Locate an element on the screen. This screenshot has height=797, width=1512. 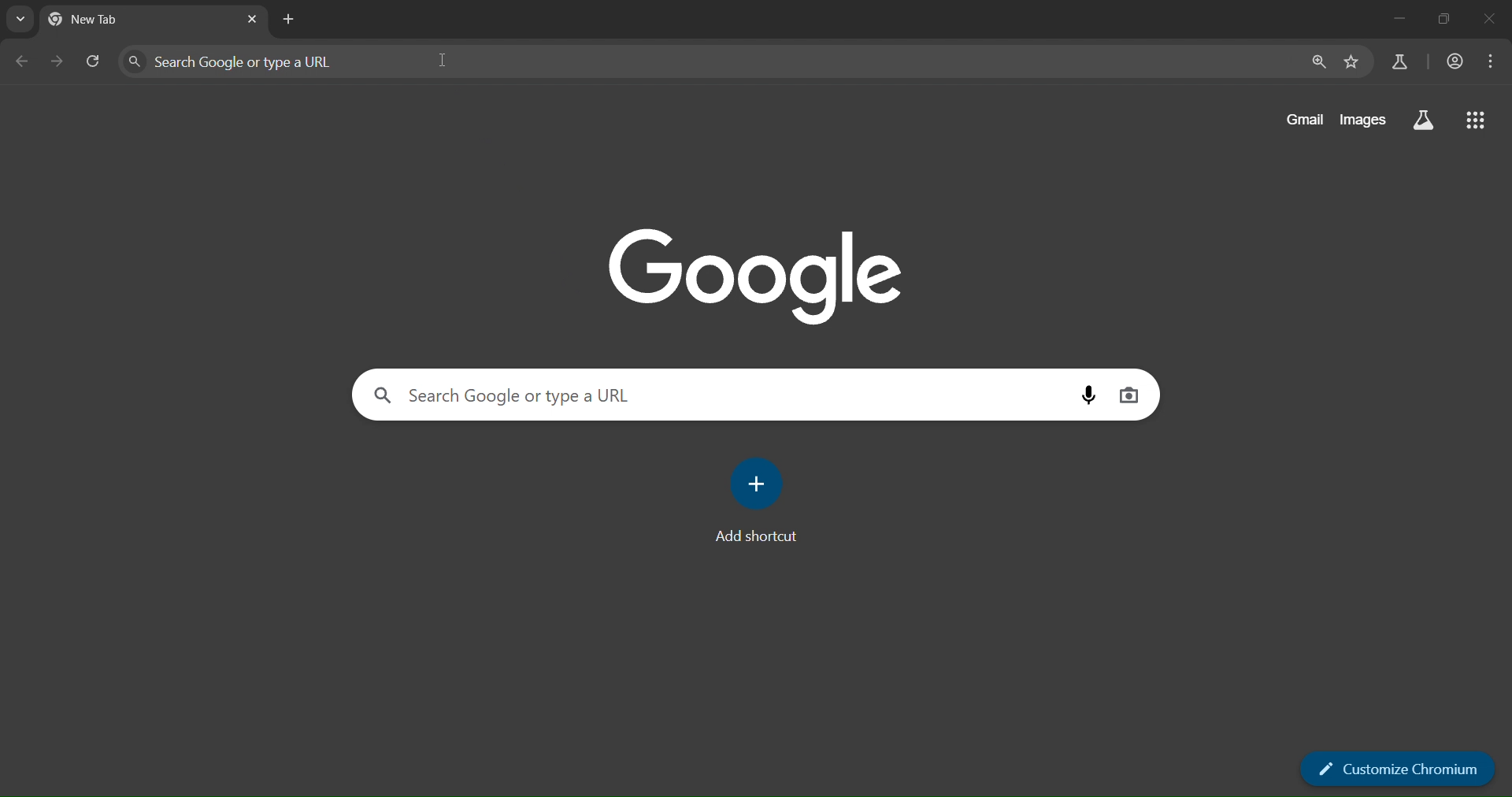
minimize is located at coordinates (1399, 19).